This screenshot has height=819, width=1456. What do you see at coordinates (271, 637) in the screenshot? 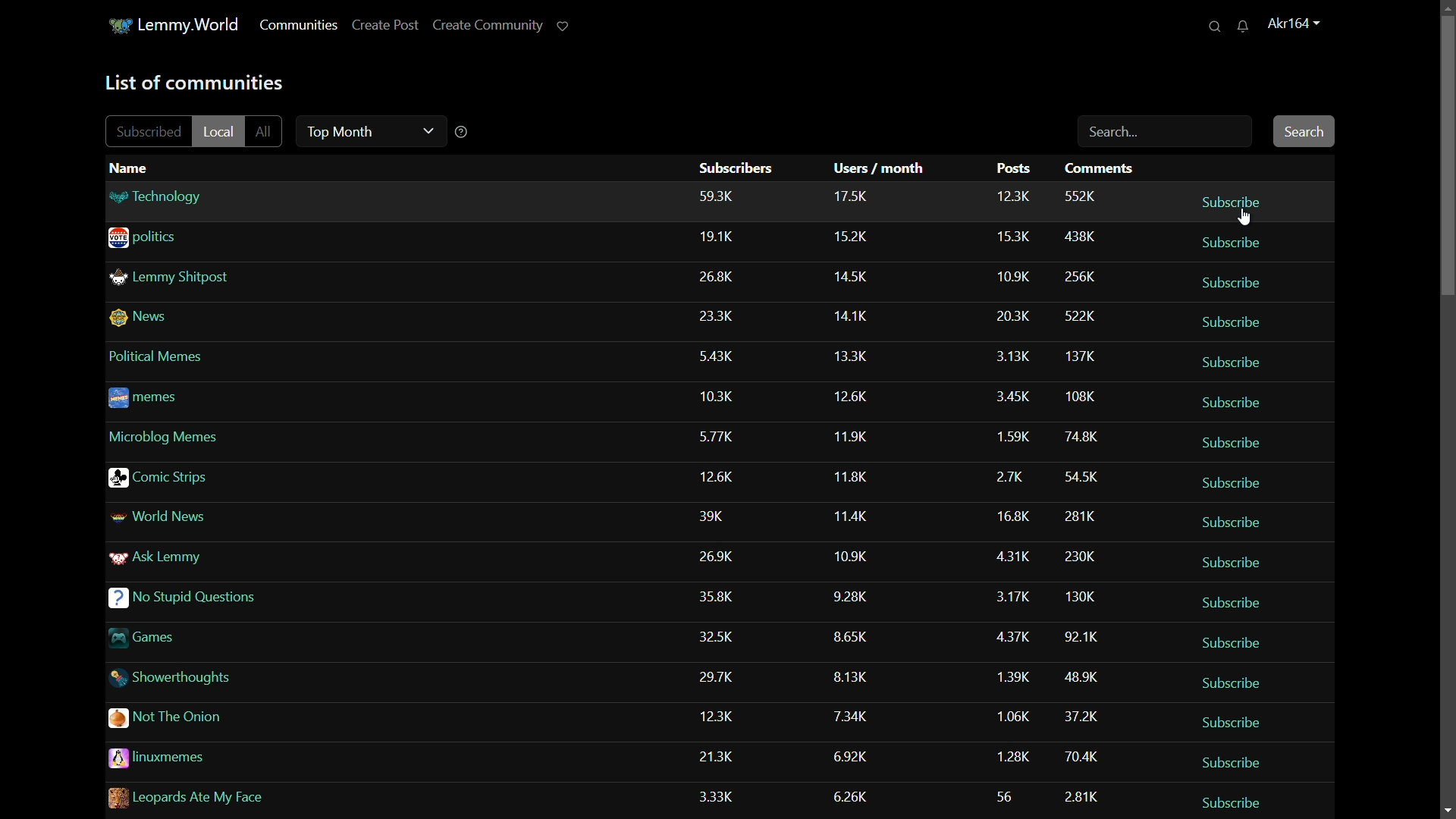
I see `` at bounding box center [271, 637].